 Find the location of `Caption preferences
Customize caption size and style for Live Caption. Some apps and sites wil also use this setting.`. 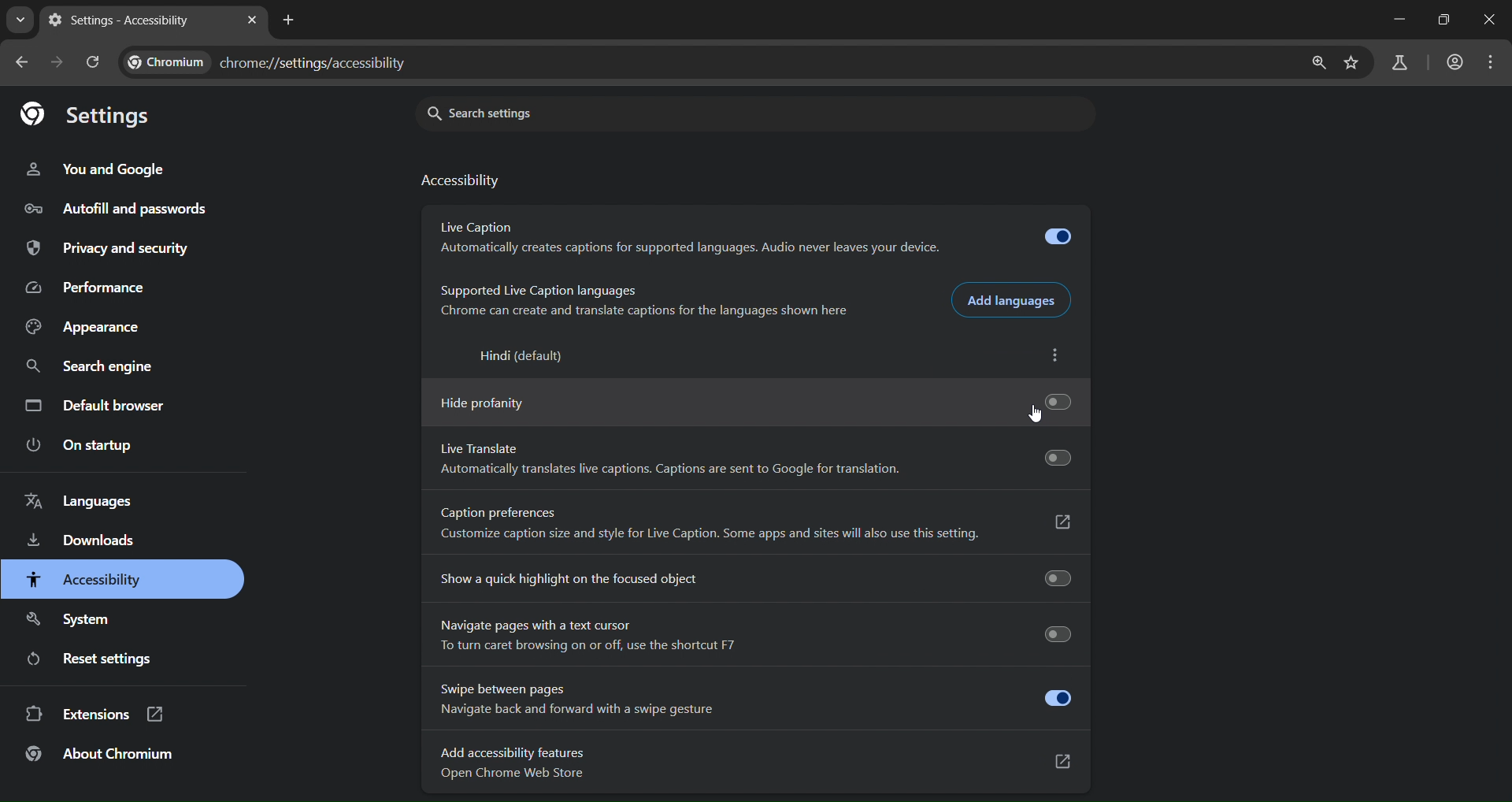

Caption preferences
Customize caption size and style for Live Caption. Some apps and sites wil also use this setting. is located at coordinates (750, 526).